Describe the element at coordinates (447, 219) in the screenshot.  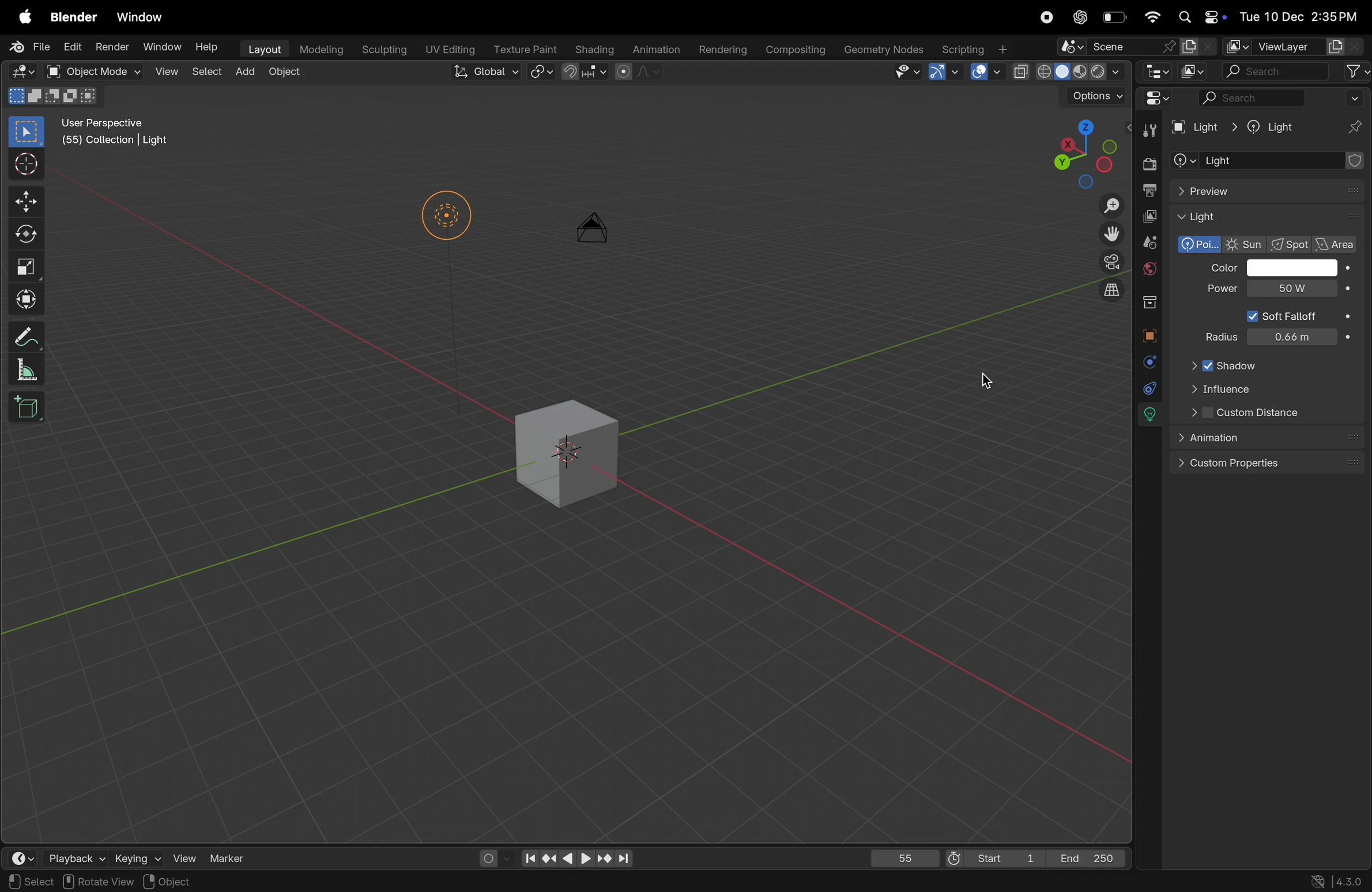
I see `Lights` at that location.